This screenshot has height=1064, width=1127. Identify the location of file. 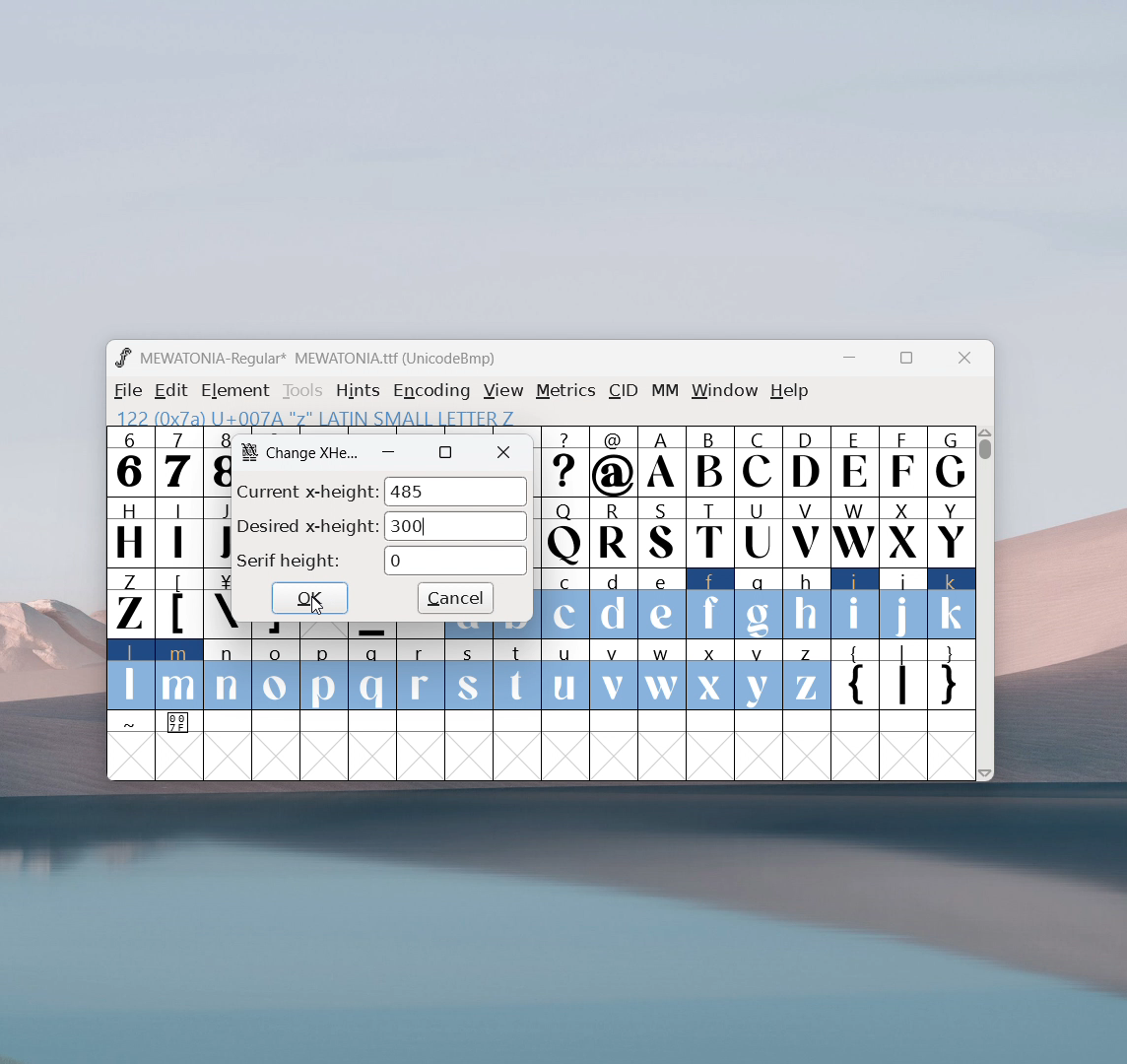
(125, 391).